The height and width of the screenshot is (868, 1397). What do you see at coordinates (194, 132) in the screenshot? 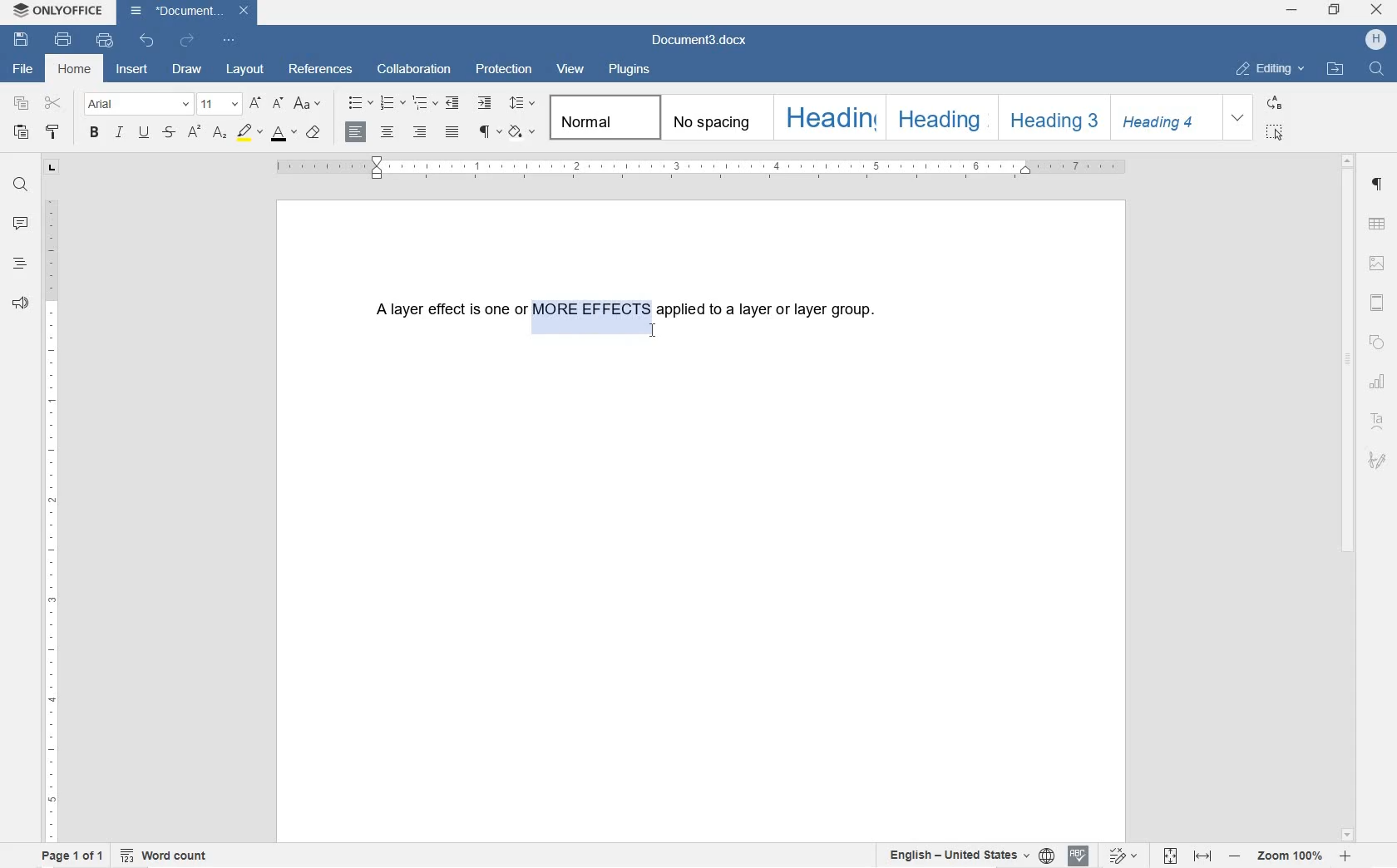
I see `SUPERSCRIPT` at bounding box center [194, 132].